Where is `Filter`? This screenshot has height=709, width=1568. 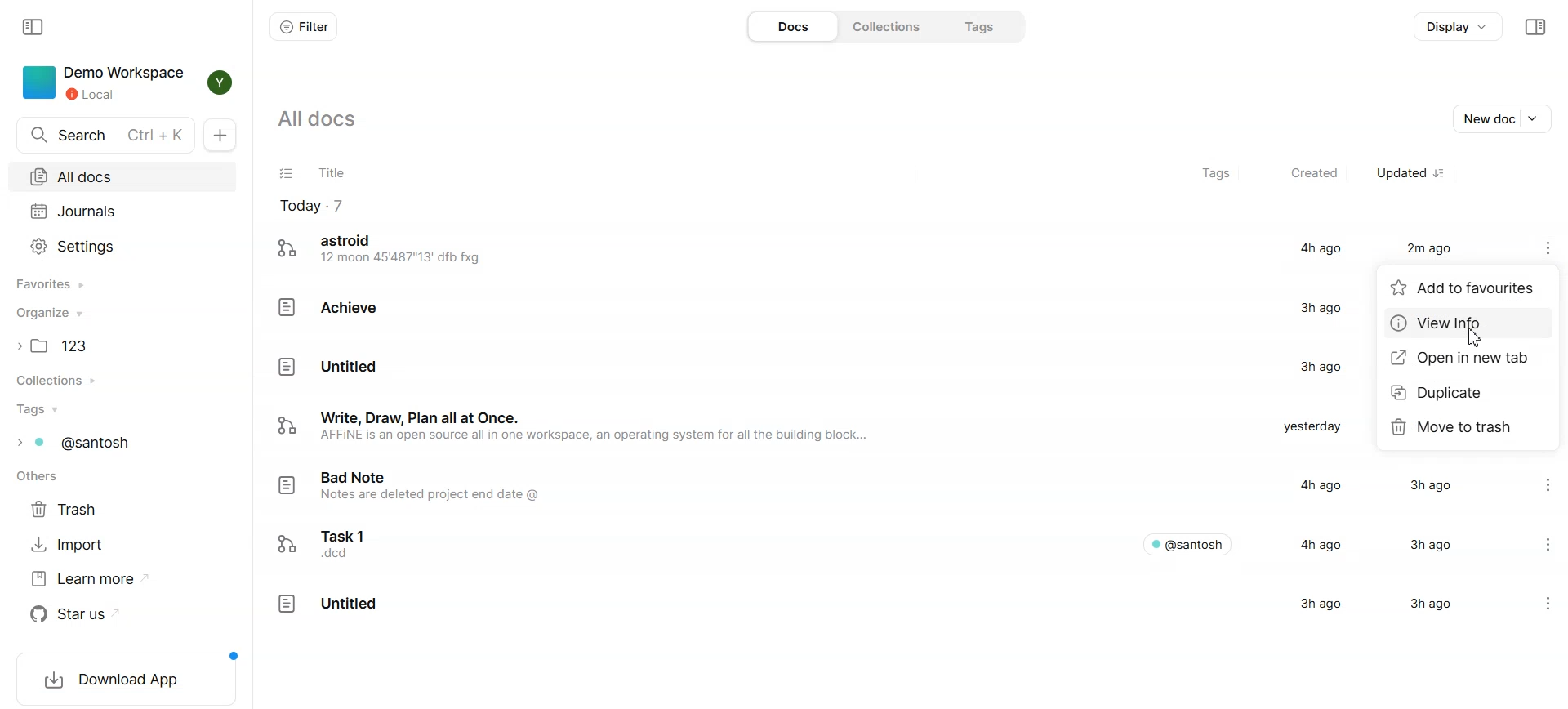
Filter is located at coordinates (303, 27).